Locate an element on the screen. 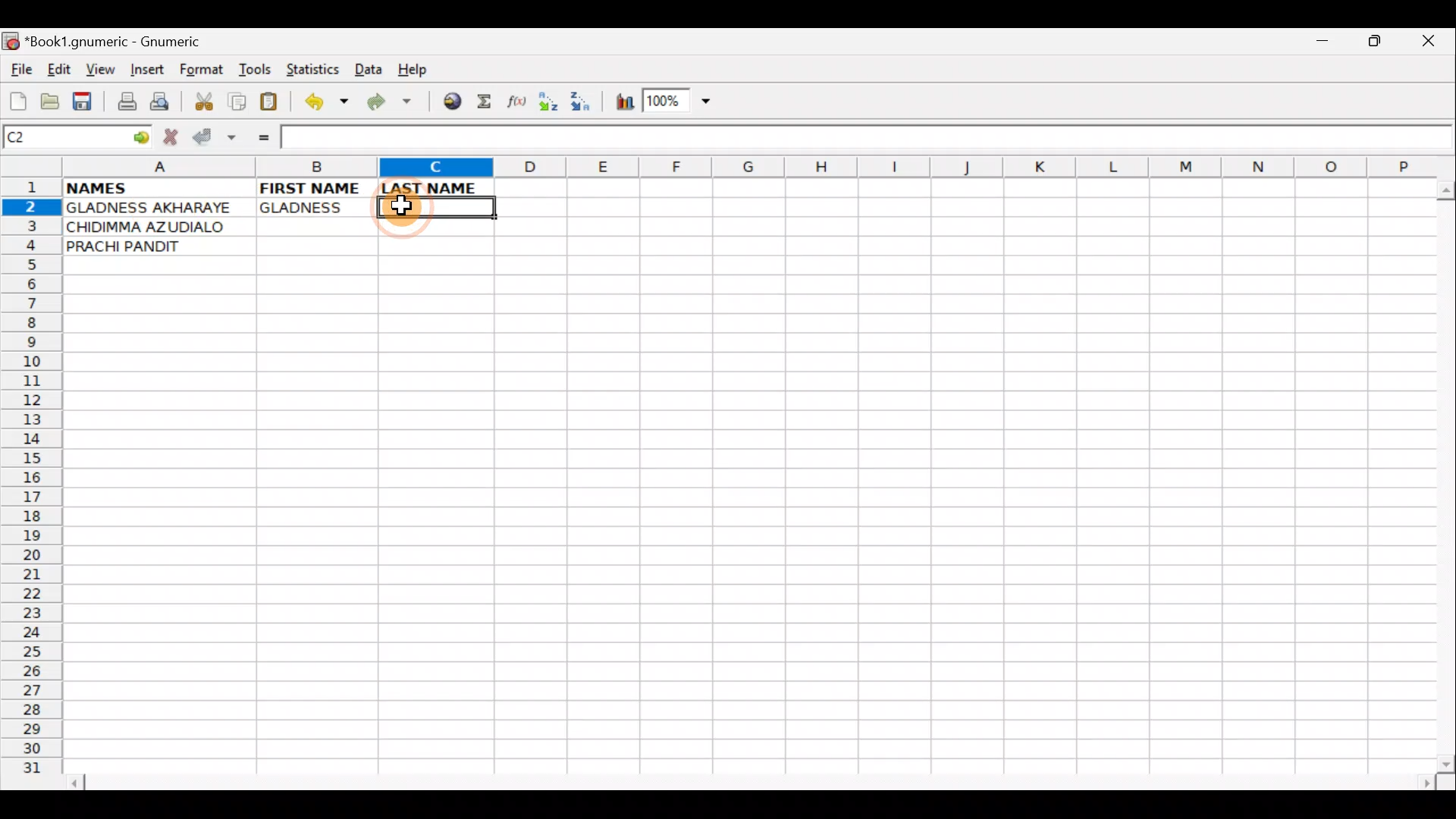 Image resolution: width=1456 pixels, height=819 pixels. Print file is located at coordinates (123, 103).